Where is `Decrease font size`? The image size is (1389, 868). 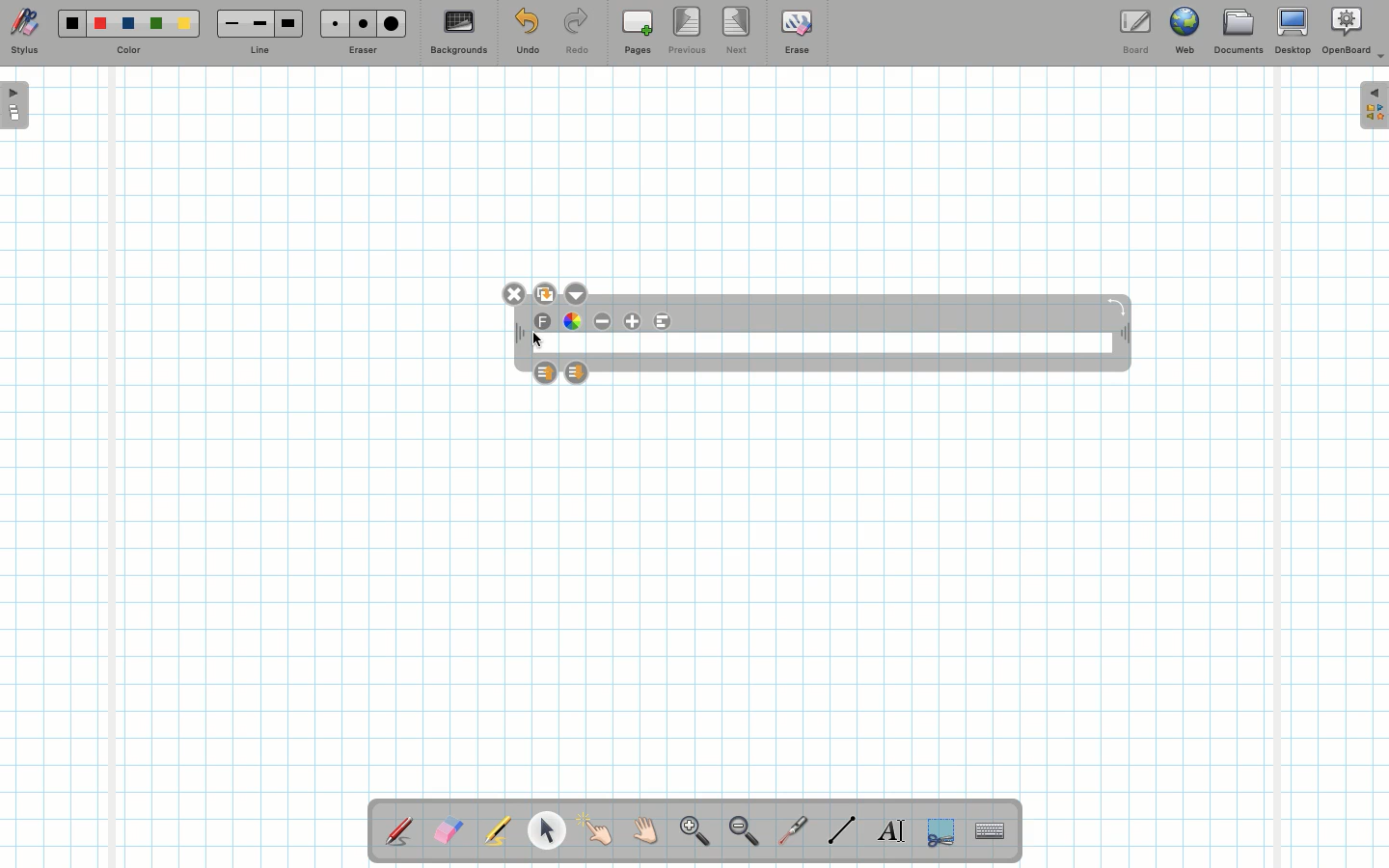
Decrease font size is located at coordinates (604, 321).